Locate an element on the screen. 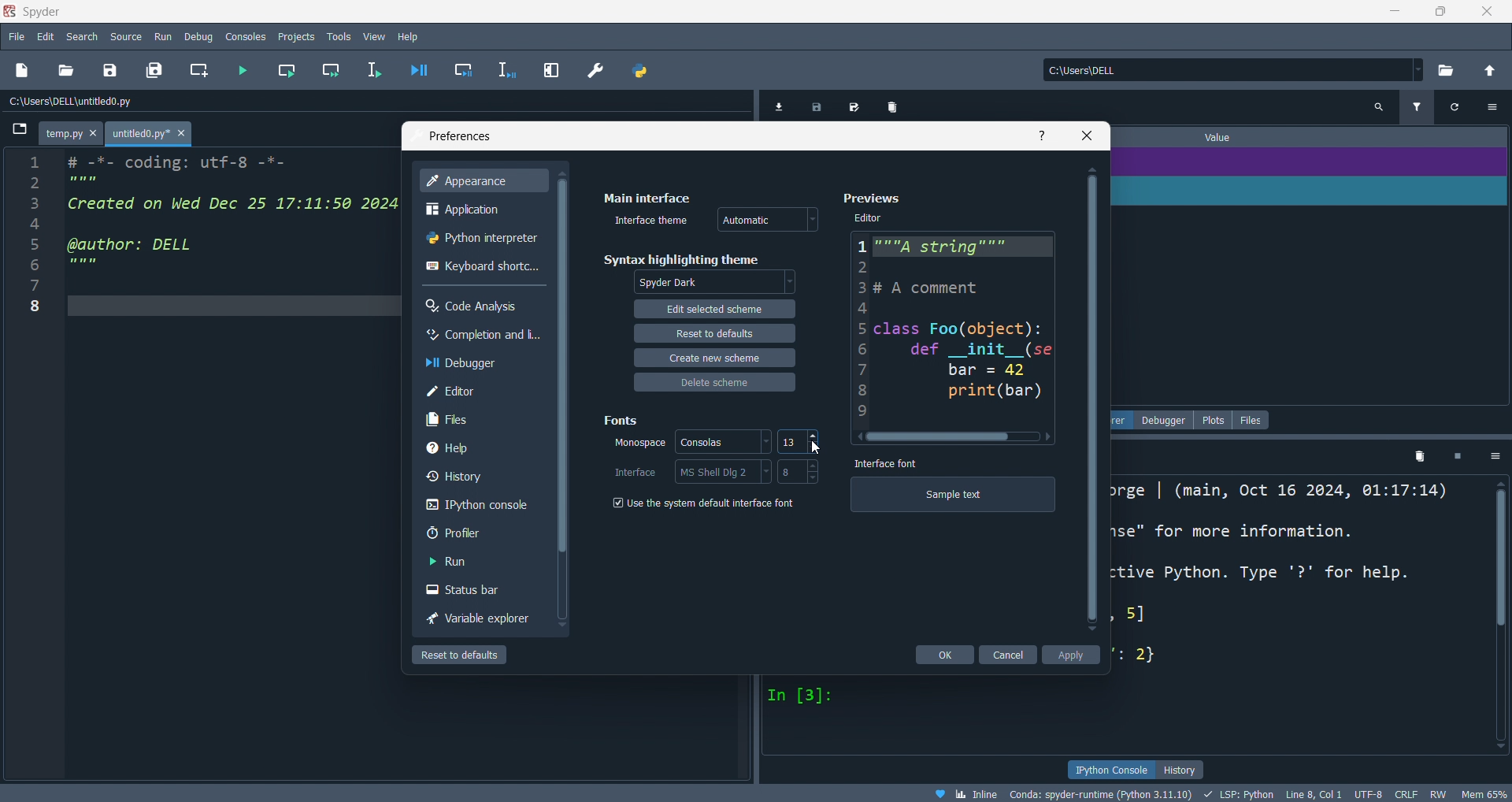  help is located at coordinates (409, 36).